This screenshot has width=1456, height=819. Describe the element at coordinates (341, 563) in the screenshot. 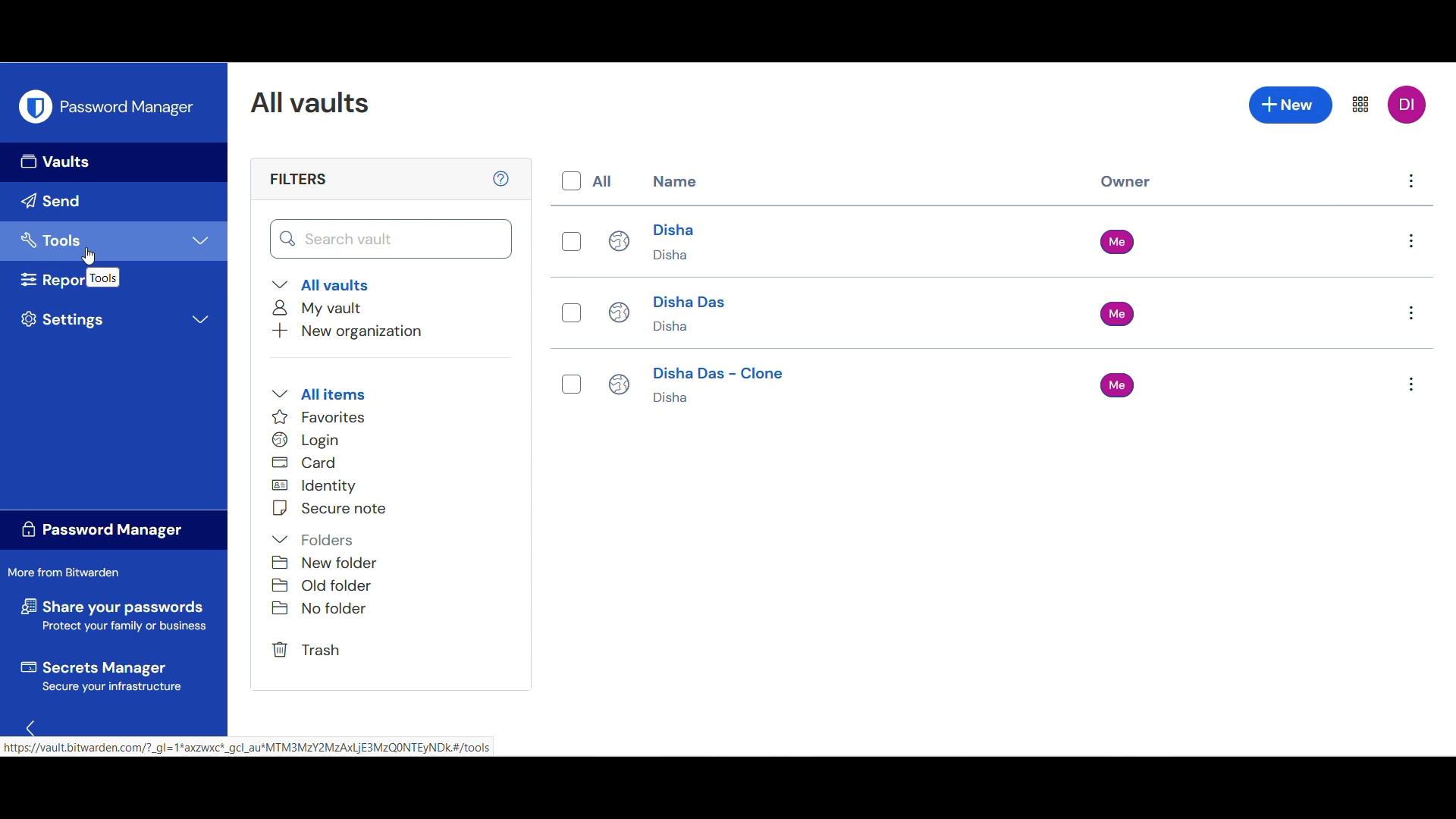

I see `New folder` at that location.